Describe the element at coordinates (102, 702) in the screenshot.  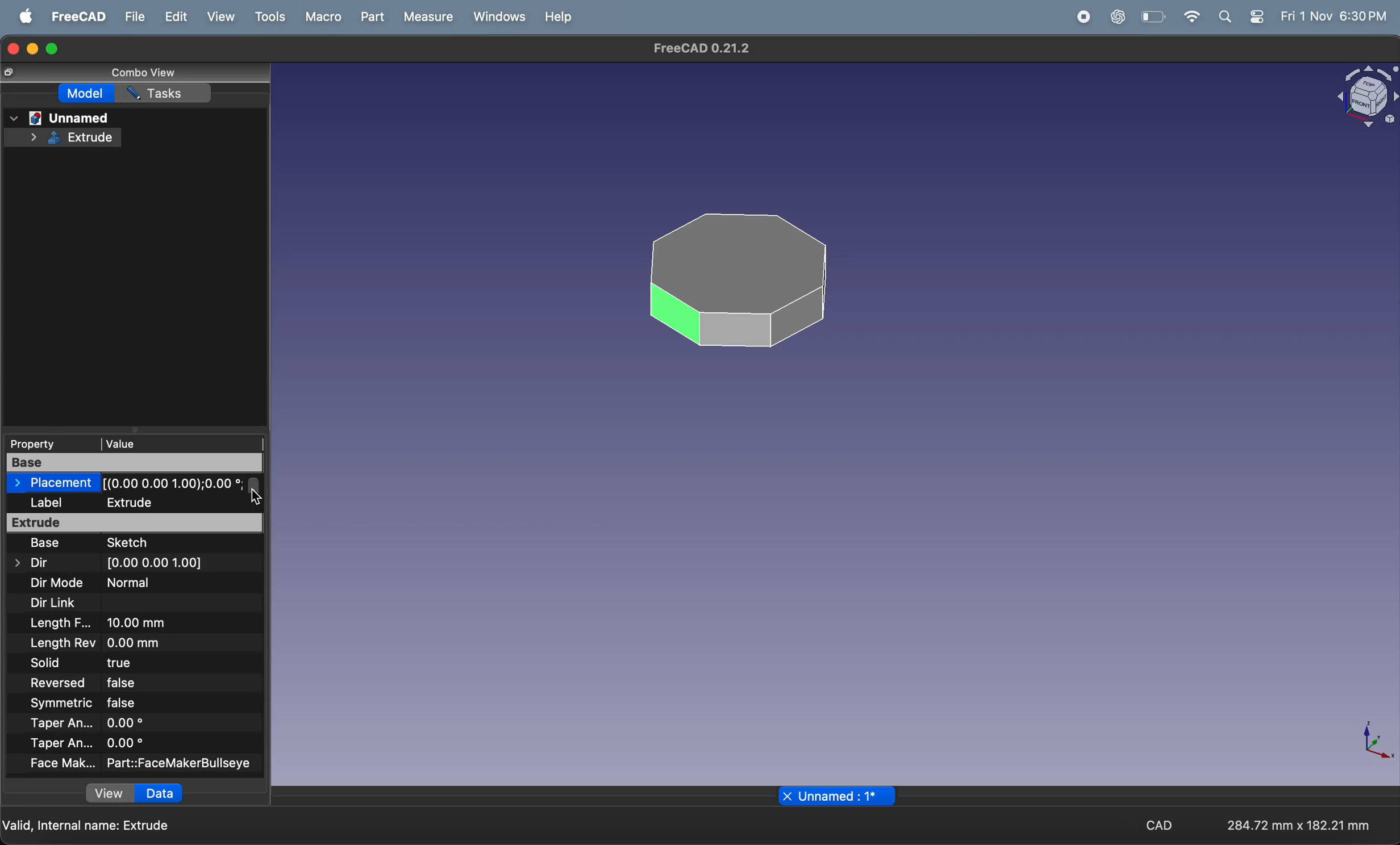
I see `Symmetric false` at that location.